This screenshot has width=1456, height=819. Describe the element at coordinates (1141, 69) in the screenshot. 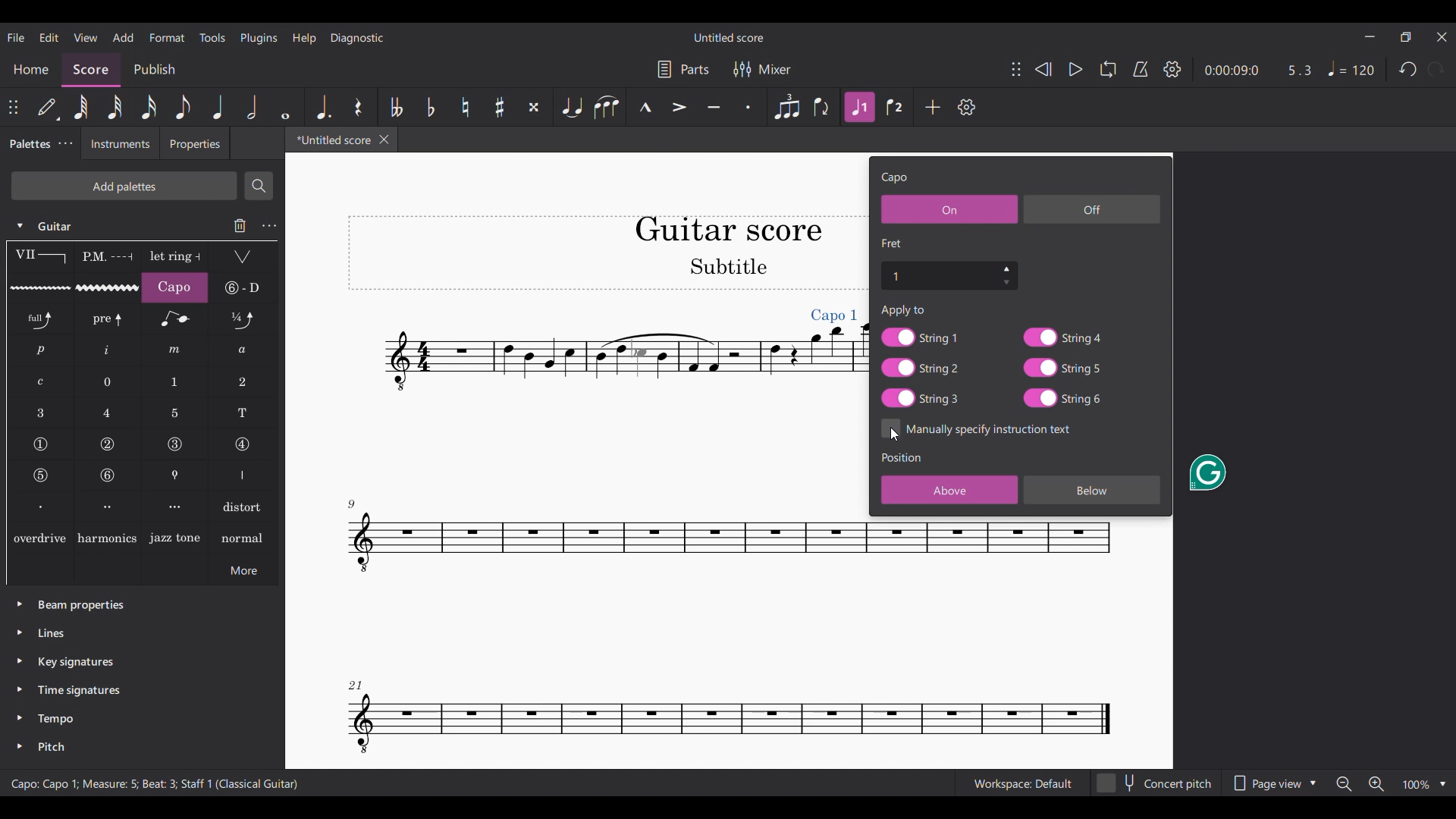

I see `Metronome` at that location.